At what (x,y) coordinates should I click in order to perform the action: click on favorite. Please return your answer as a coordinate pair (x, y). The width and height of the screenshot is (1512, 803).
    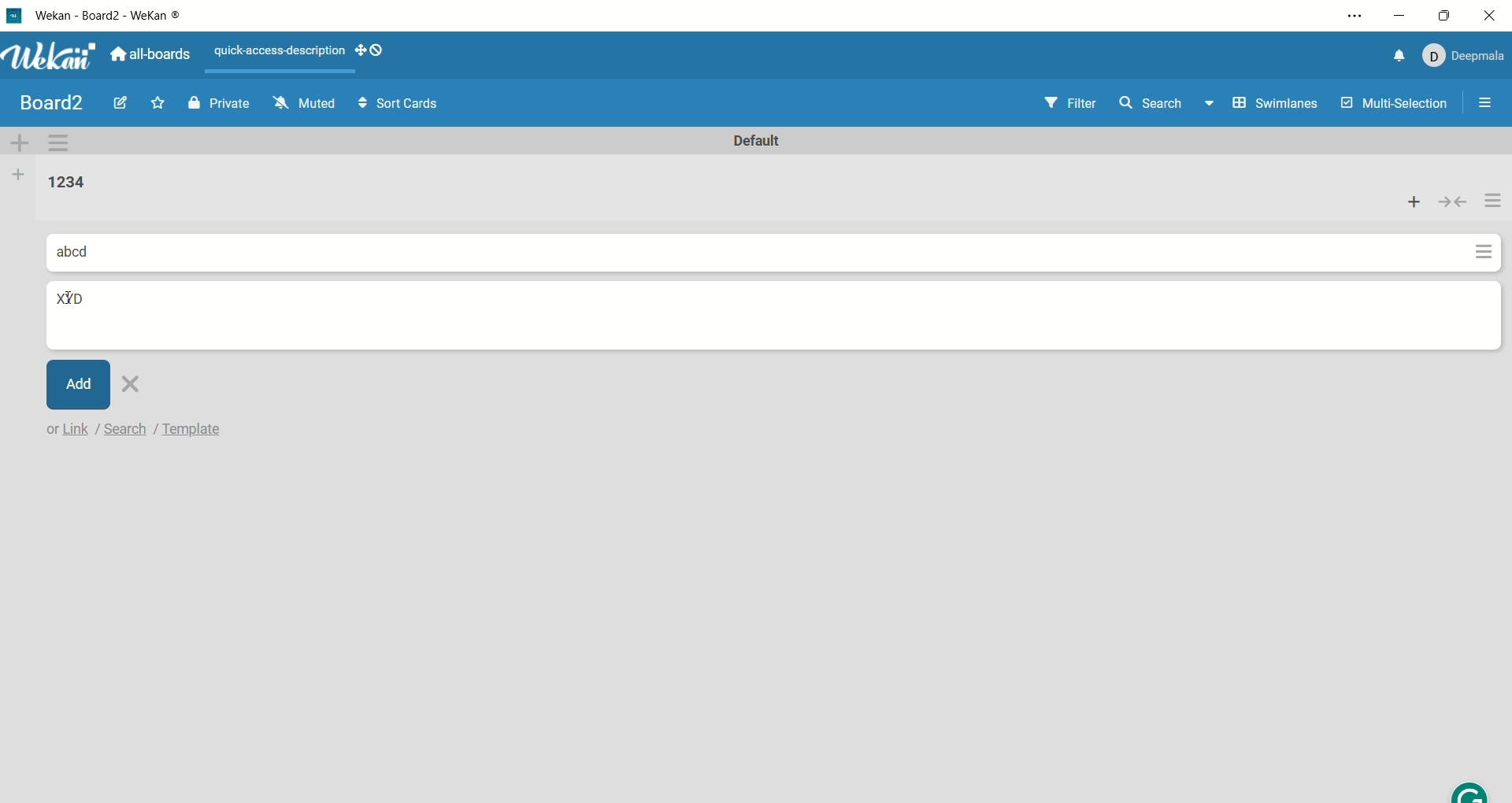
    Looking at the image, I should click on (162, 102).